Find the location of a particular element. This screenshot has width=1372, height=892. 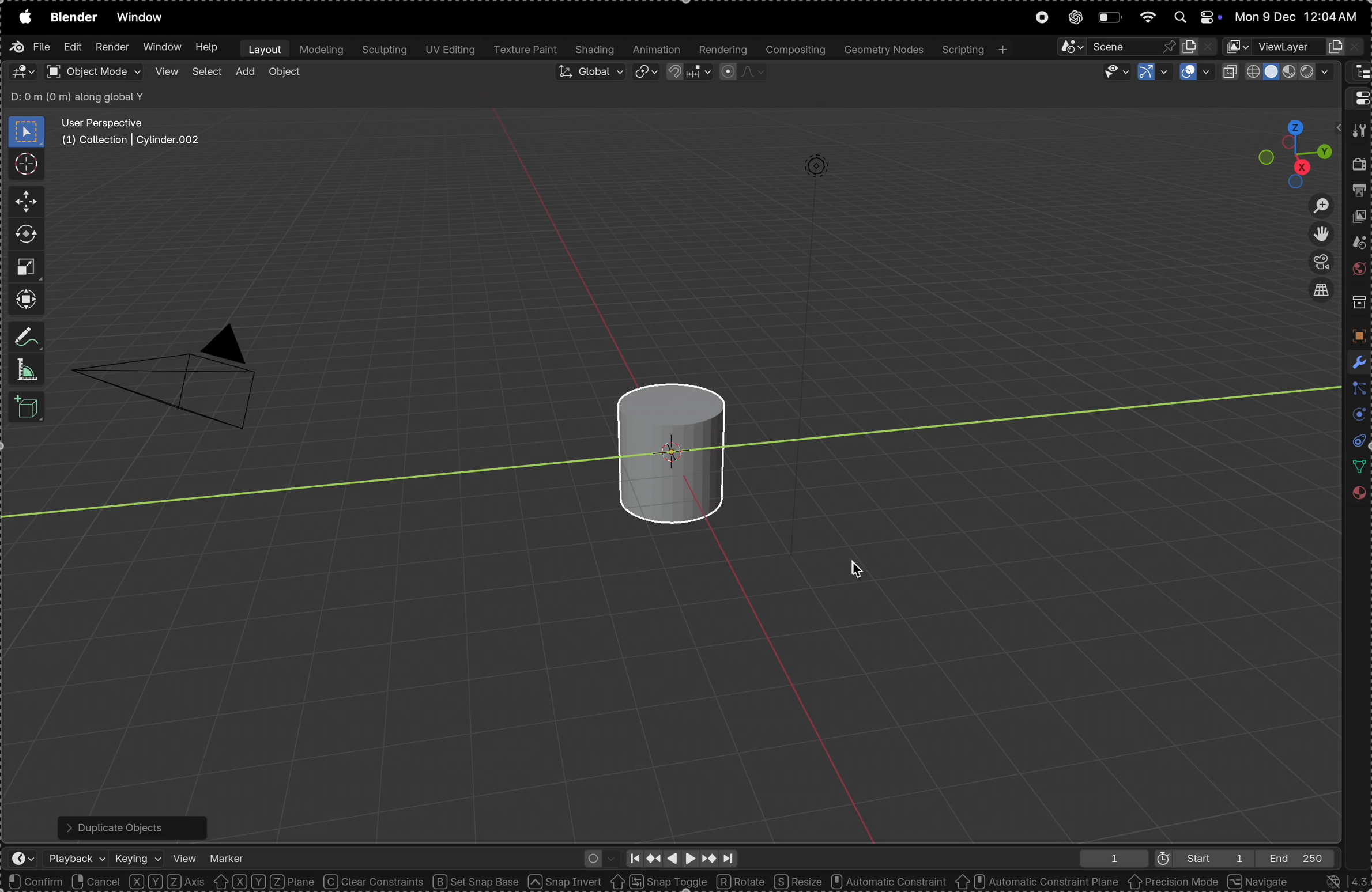

Edit is located at coordinates (70, 48).